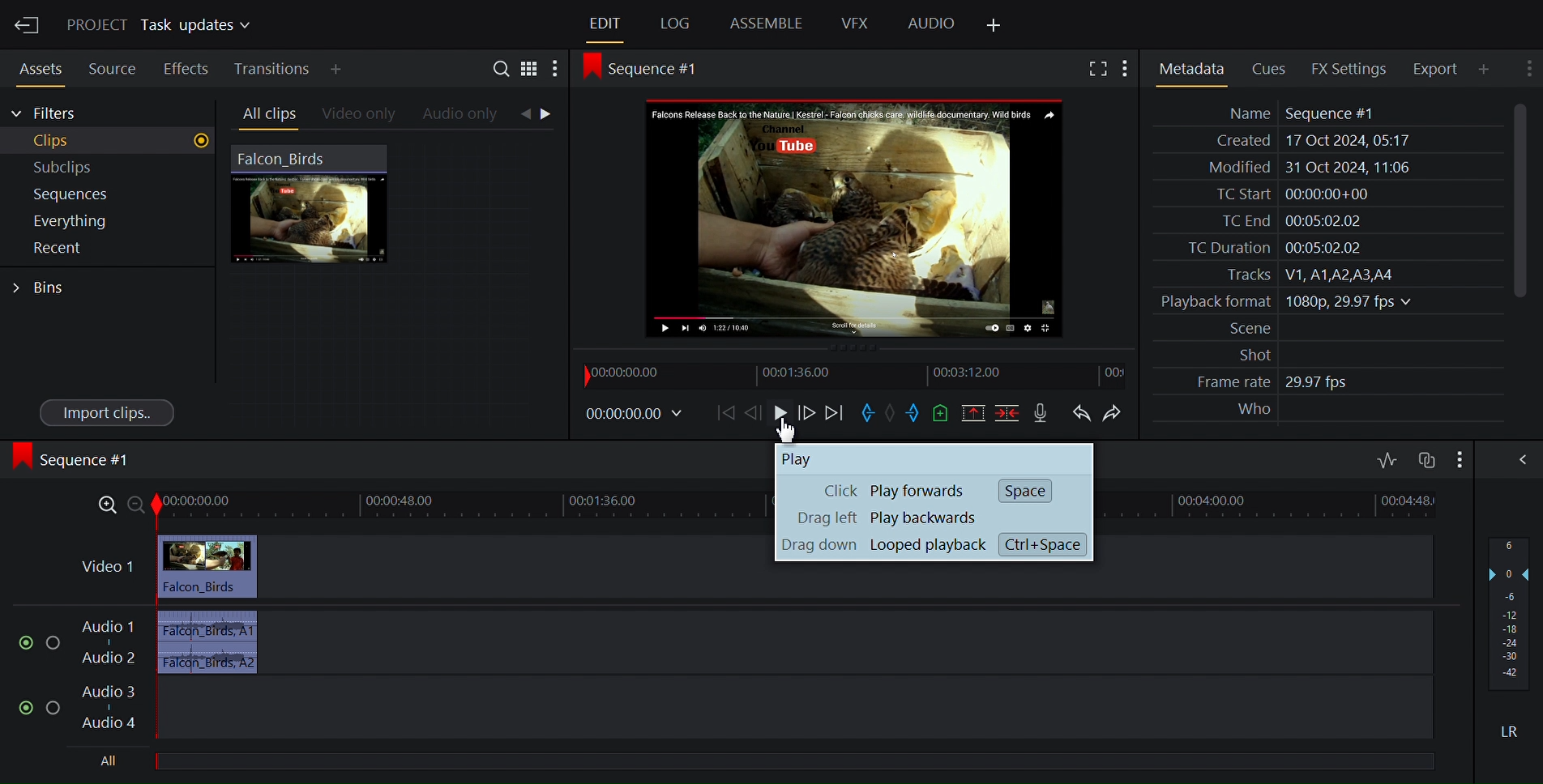 This screenshot has height=784, width=1543. Describe the element at coordinates (1347, 68) in the screenshot. I see `FX Settings` at that location.